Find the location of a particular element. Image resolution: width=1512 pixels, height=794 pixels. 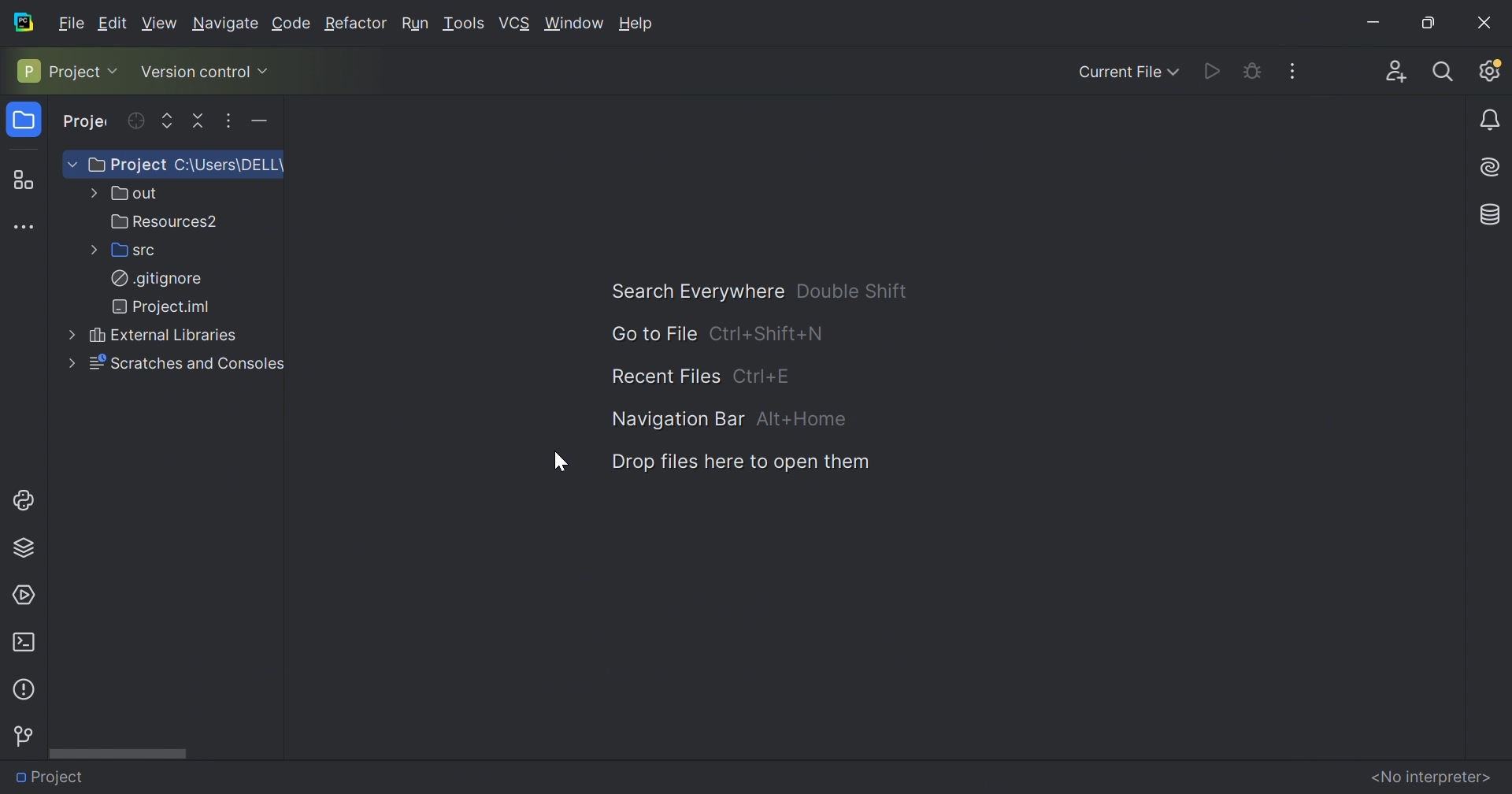

Database is located at coordinates (1492, 212).